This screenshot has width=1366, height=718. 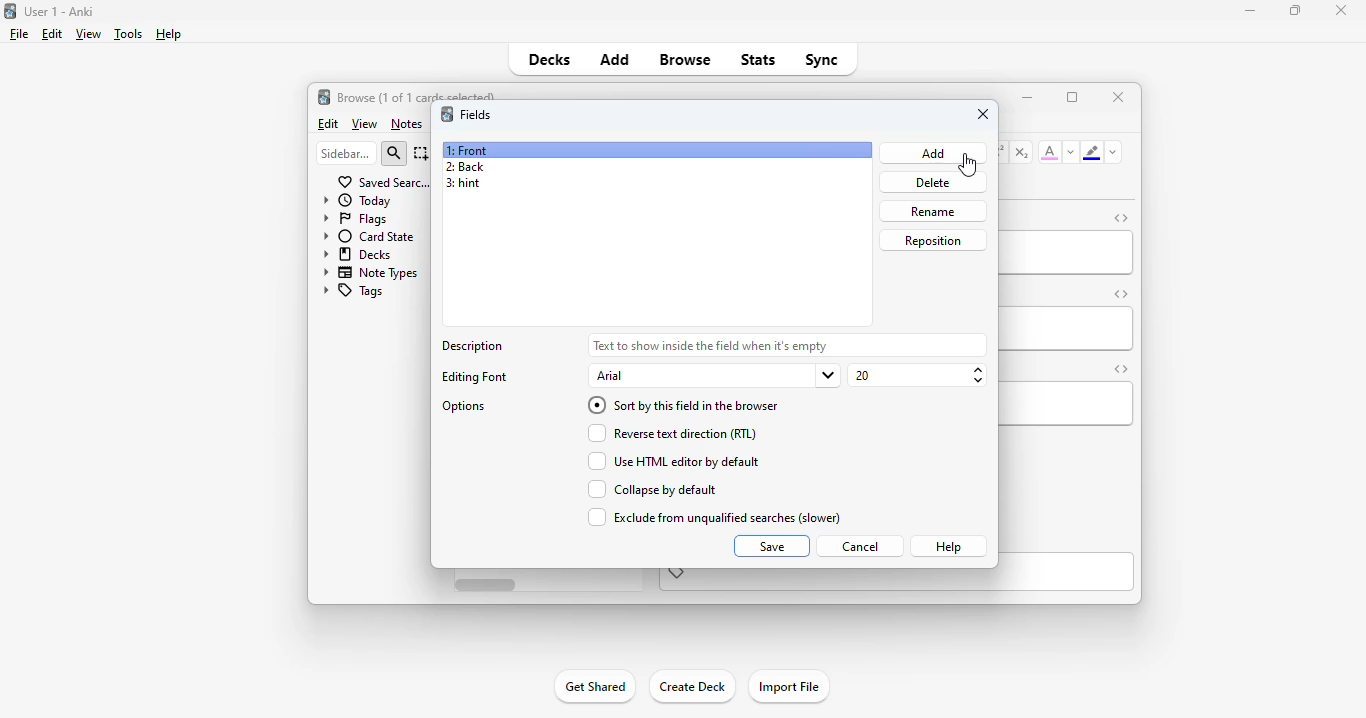 I want to click on sort by this field in the browser, so click(x=682, y=405).